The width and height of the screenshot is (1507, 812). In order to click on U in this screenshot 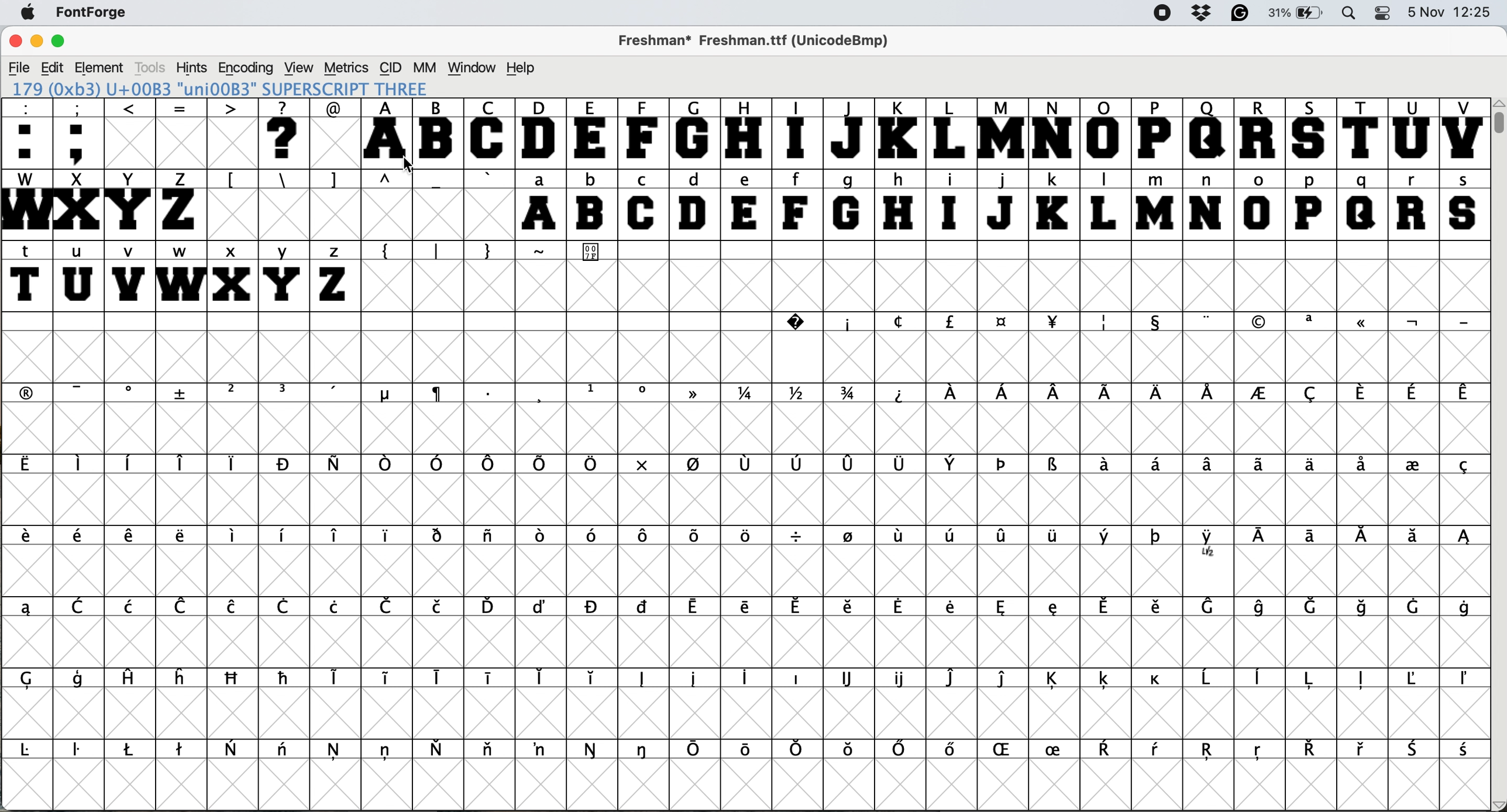, I will do `click(1412, 133)`.